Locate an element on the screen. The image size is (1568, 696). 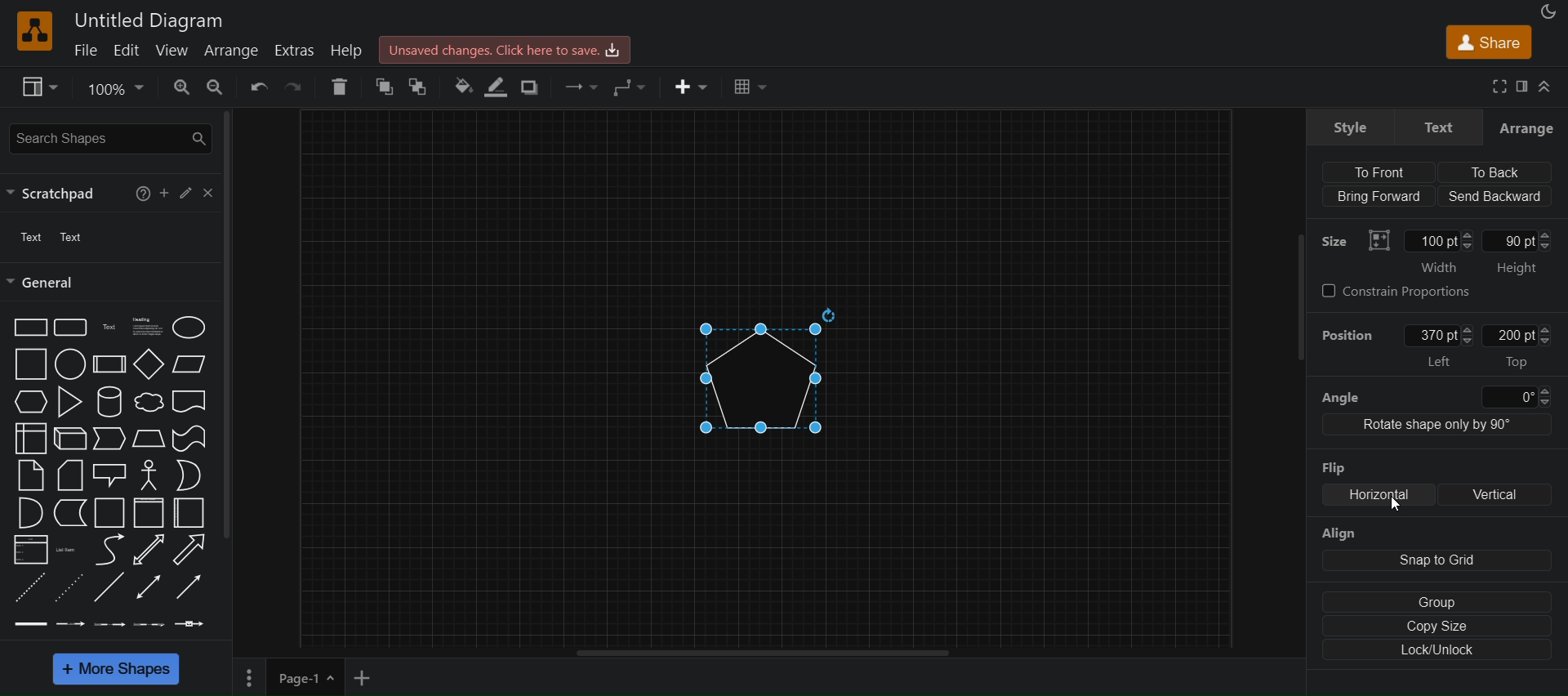
Or is located at coordinates (189, 475).